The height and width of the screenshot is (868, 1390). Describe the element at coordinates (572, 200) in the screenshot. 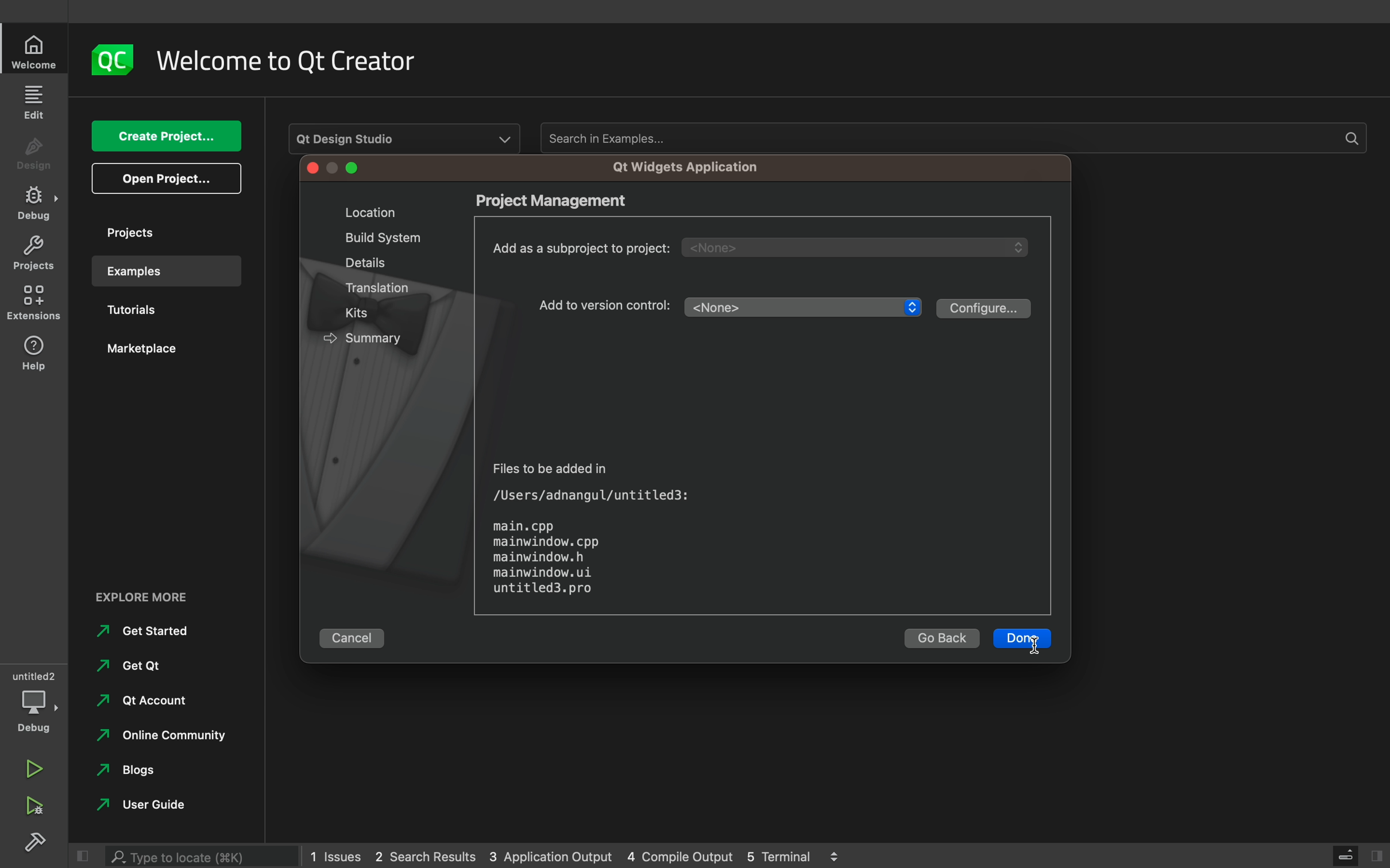

I see `project management` at that location.